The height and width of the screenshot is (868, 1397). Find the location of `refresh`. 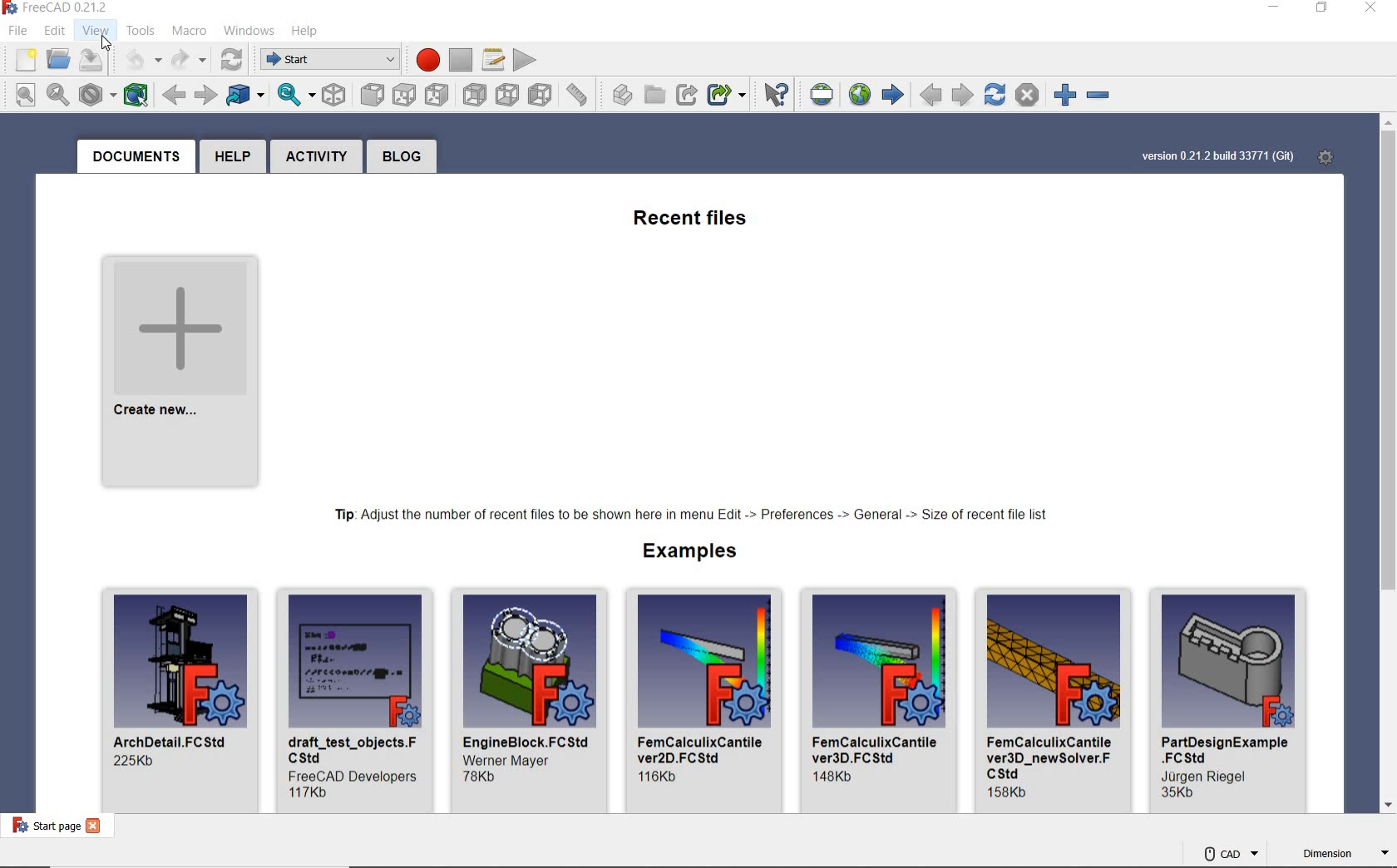

refresh is located at coordinates (231, 60).